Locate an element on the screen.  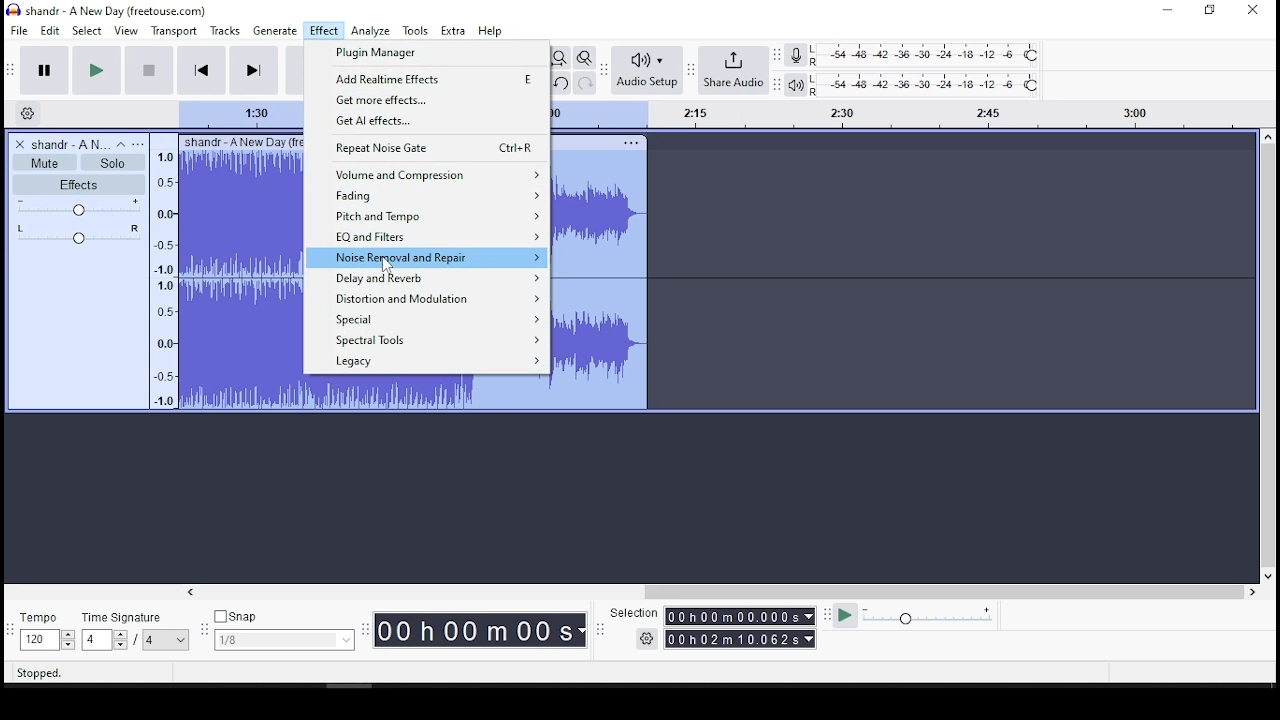
get ai effects is located at coordinates (428, 122).